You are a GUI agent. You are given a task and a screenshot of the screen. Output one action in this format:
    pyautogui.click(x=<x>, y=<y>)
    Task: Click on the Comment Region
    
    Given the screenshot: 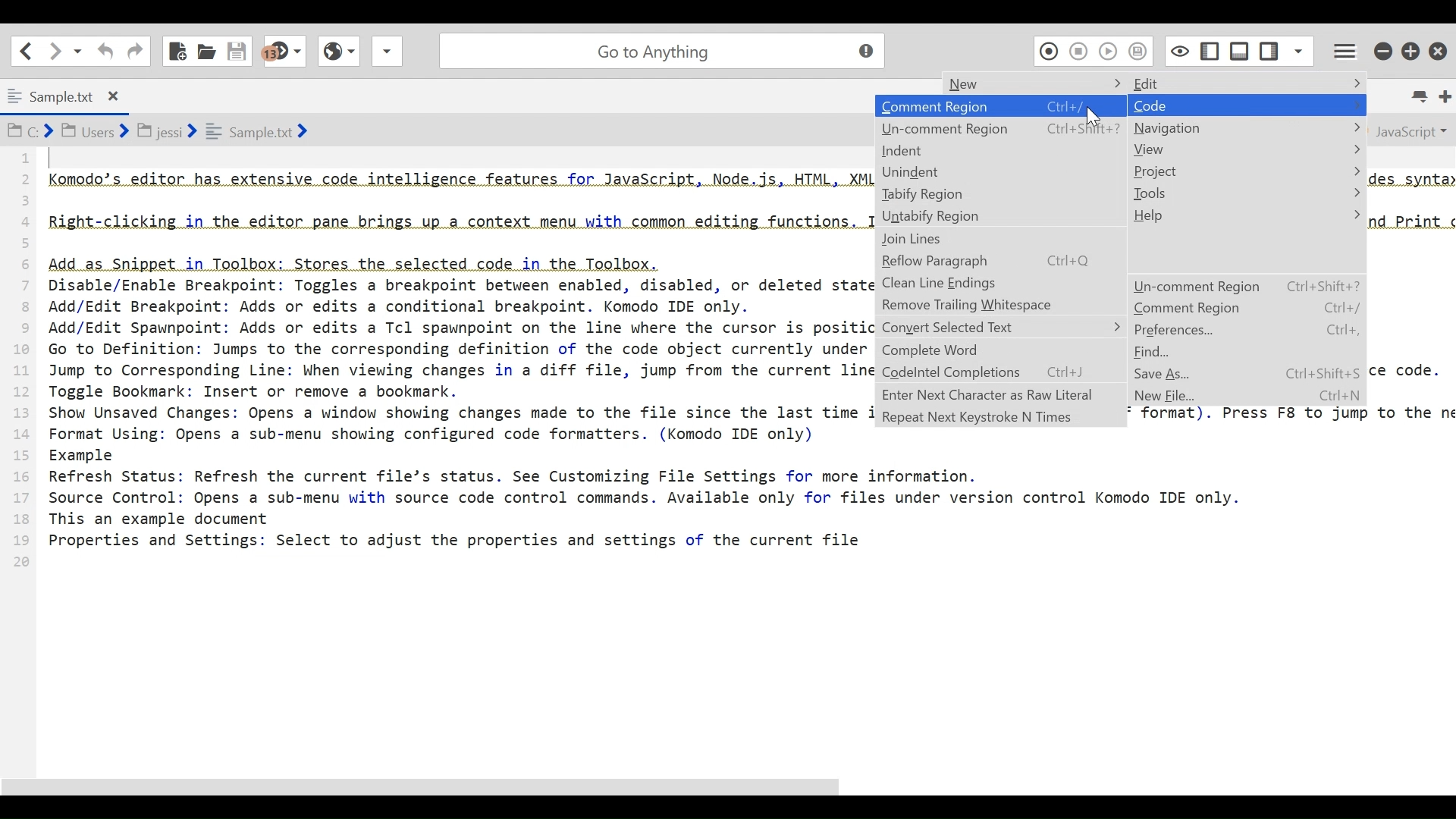 What is the action you would take?
    pyautogui.click(x=1246, y=308)
    